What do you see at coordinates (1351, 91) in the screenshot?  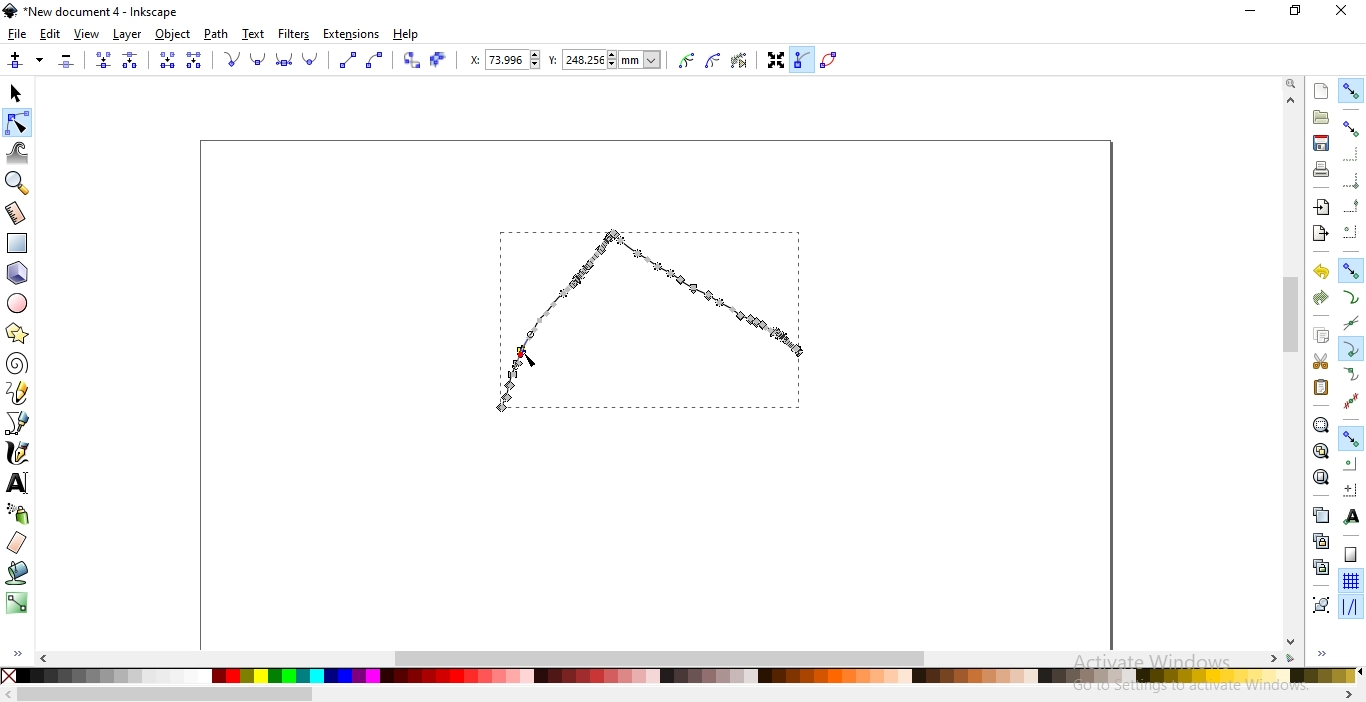 I see `enable snapping` at bounding box center [1351, 91].